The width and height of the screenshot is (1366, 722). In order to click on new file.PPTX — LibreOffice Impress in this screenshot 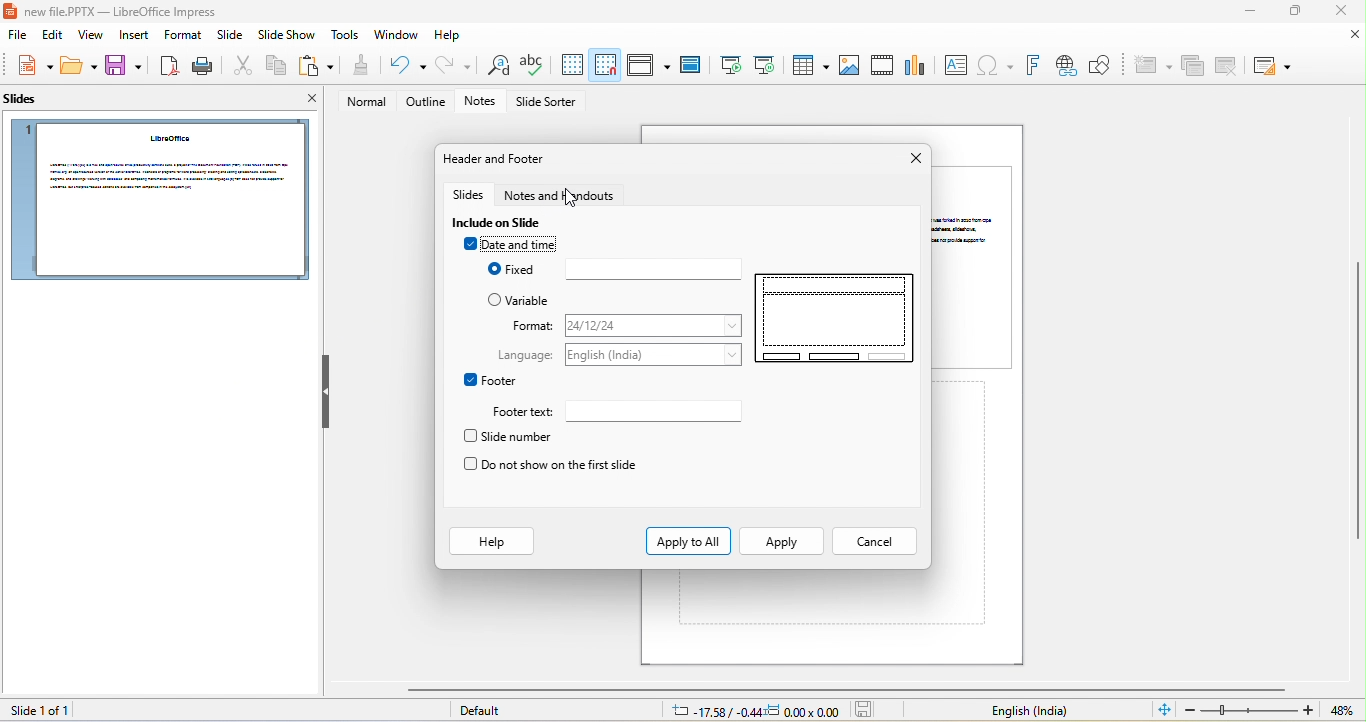, I will do `click(116, 11)`.